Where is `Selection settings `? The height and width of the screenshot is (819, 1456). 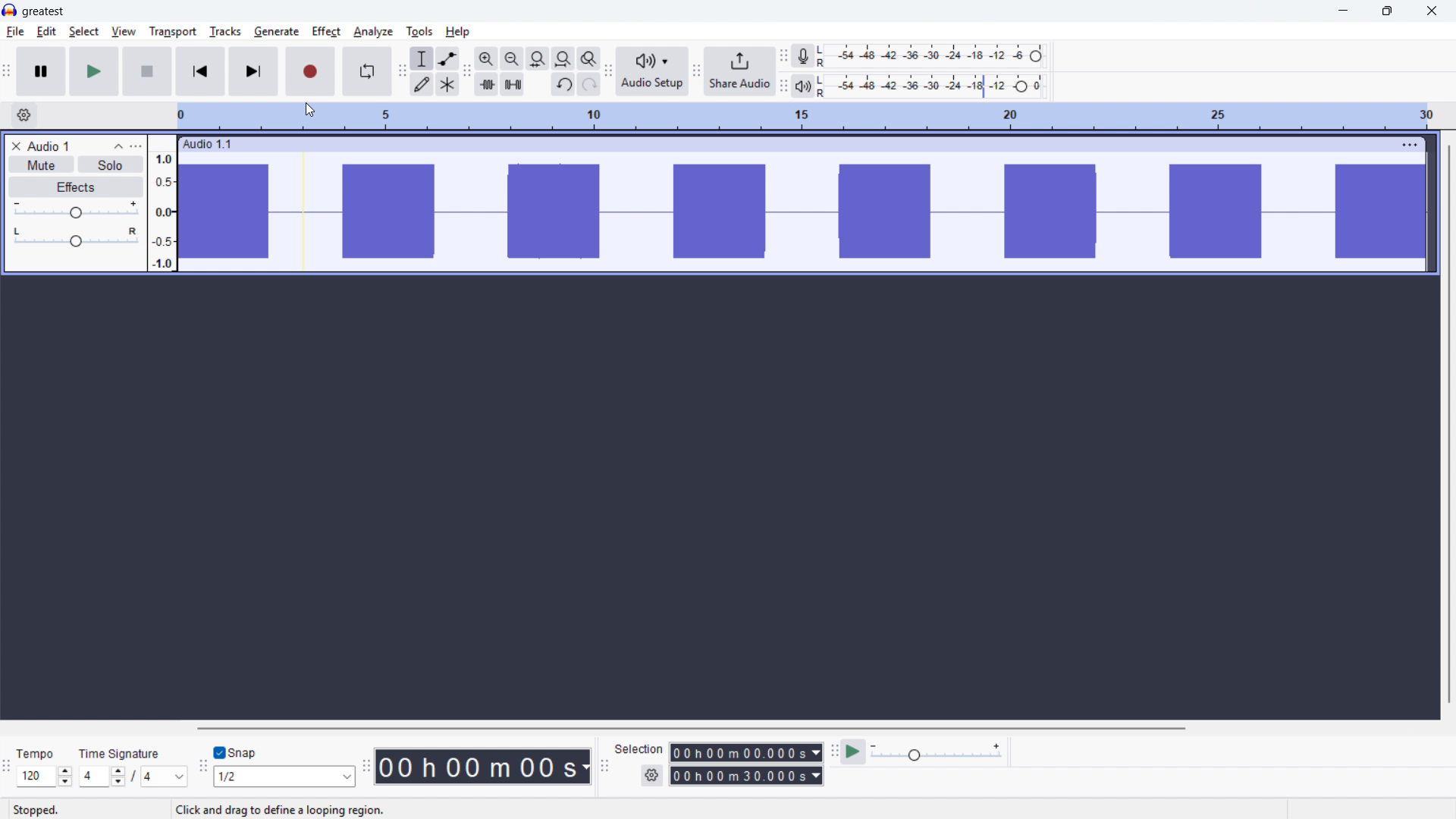
Selection settings  is located at coordinates (651, 775).